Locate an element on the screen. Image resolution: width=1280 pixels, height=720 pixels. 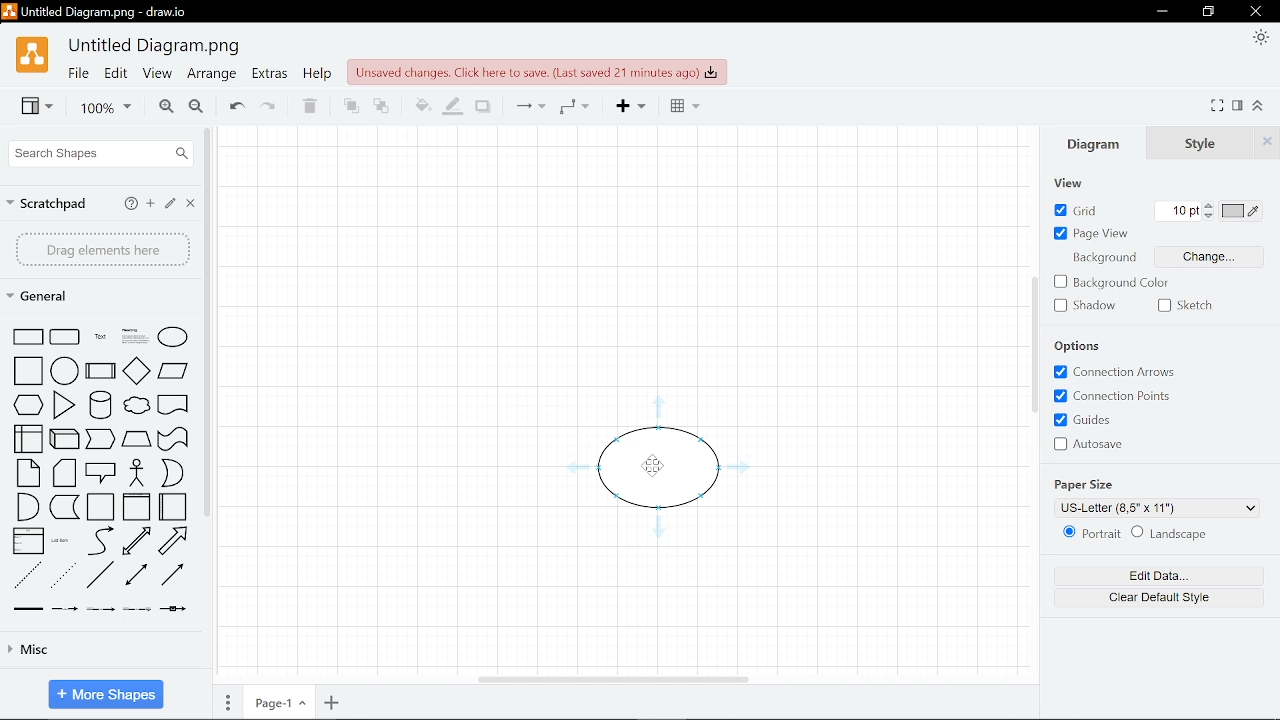
Redo is located at coordinates (268, 104).